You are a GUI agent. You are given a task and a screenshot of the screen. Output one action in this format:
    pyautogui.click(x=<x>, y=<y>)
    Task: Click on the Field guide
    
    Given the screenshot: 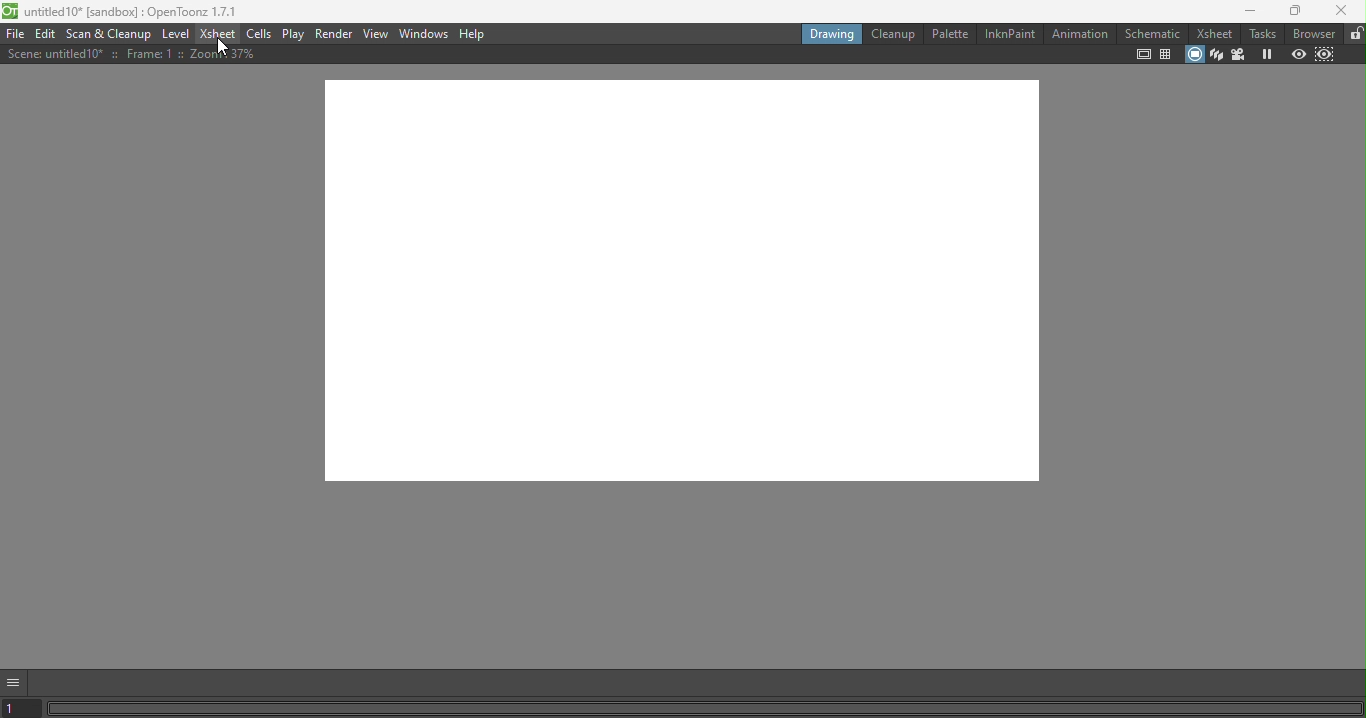 What is the action you would take?
    pyautogui.click(x=1168, y=55)
    